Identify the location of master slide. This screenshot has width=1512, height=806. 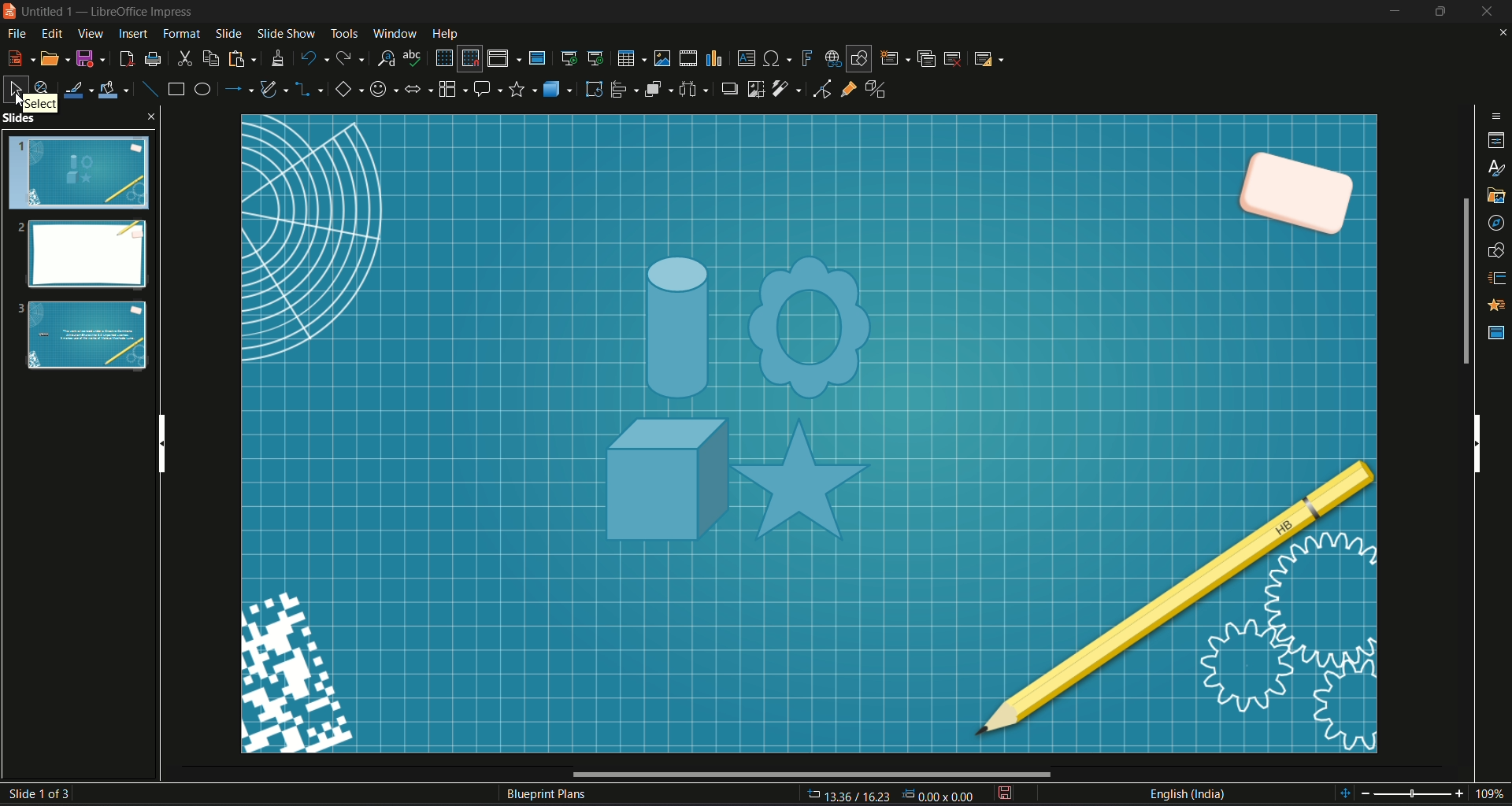
(536, 57).